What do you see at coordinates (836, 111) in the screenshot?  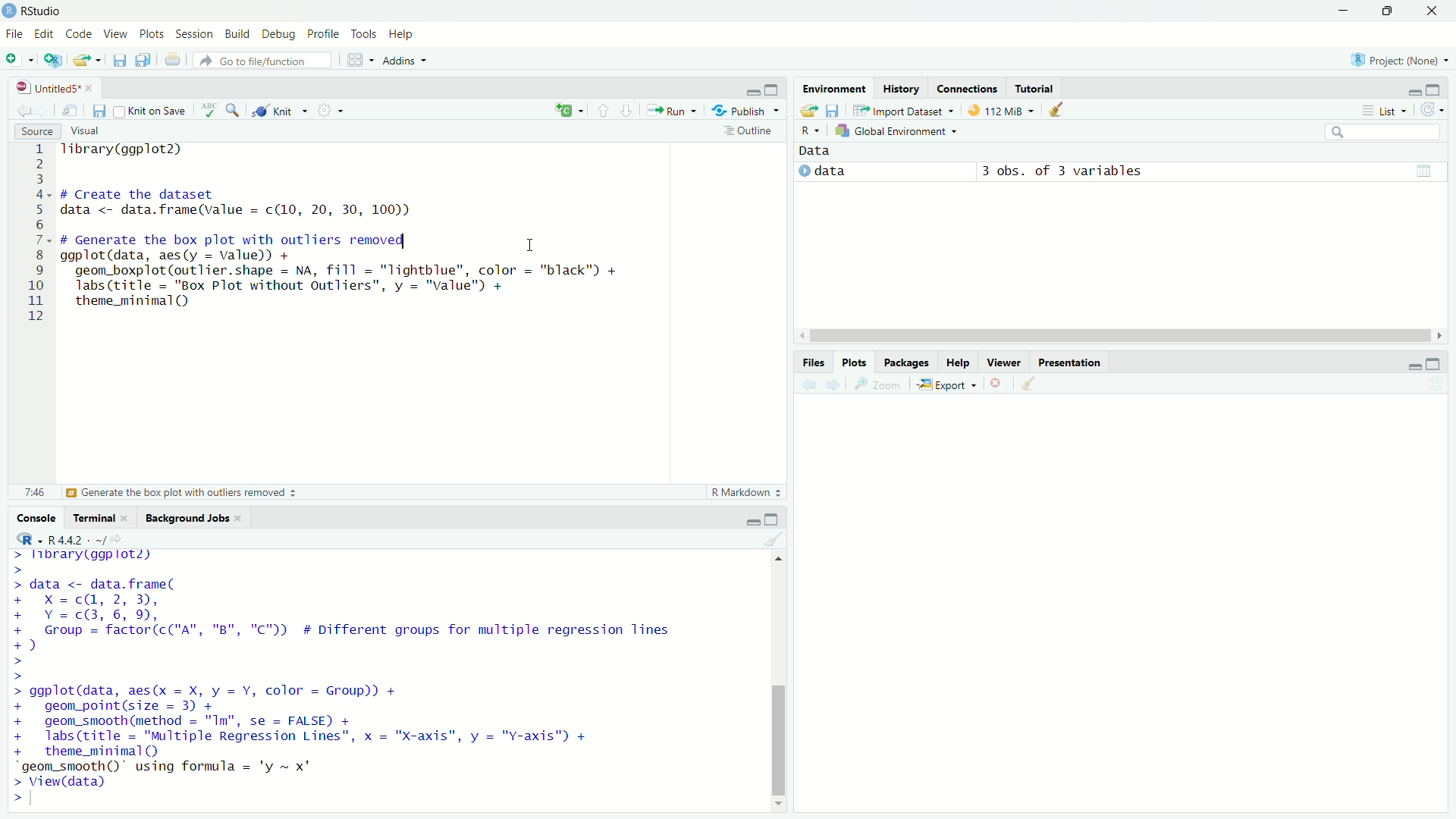 I see `files` at bounding box center [836, 111].